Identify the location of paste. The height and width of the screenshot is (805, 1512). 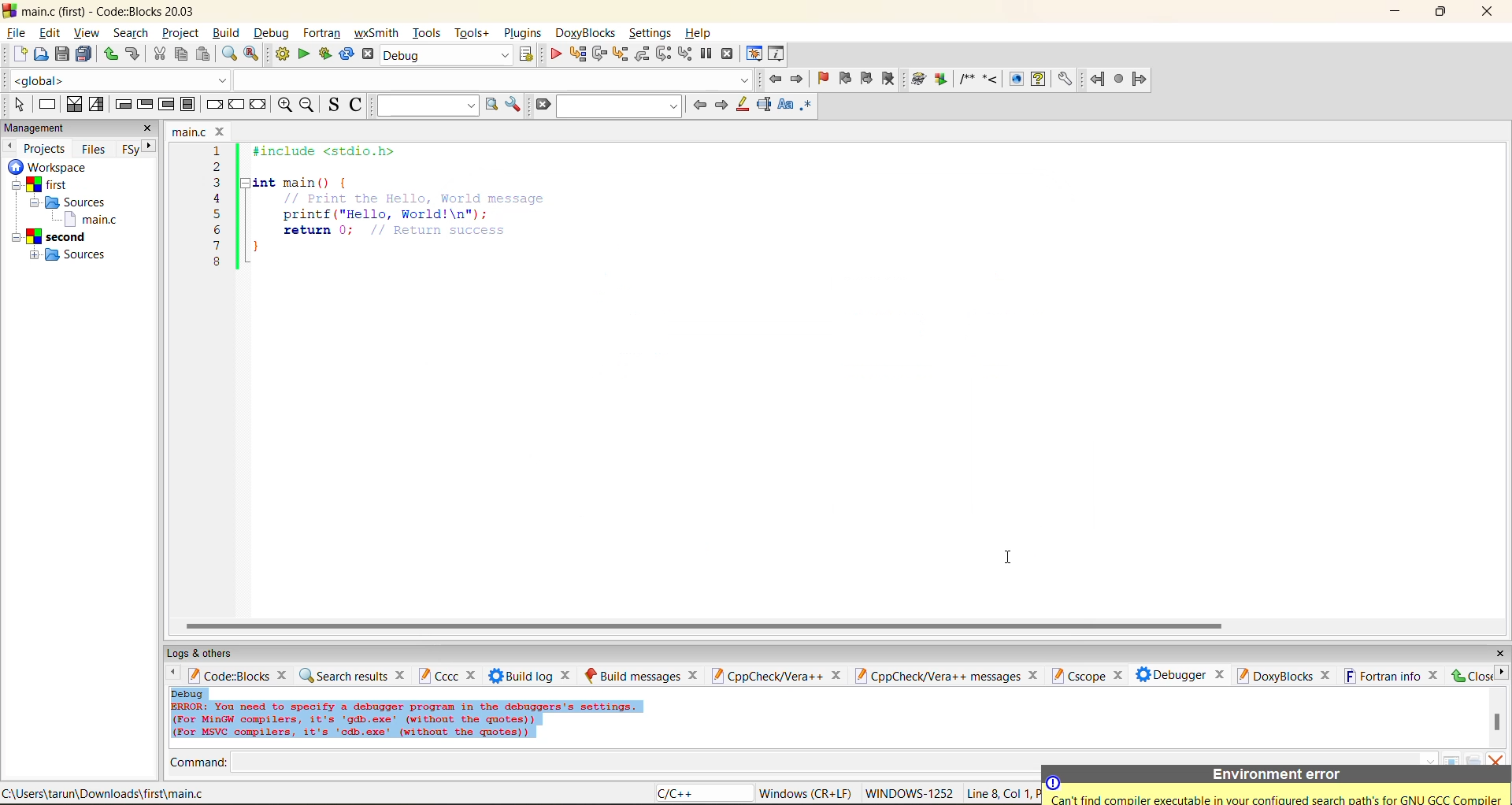
(203, 54).